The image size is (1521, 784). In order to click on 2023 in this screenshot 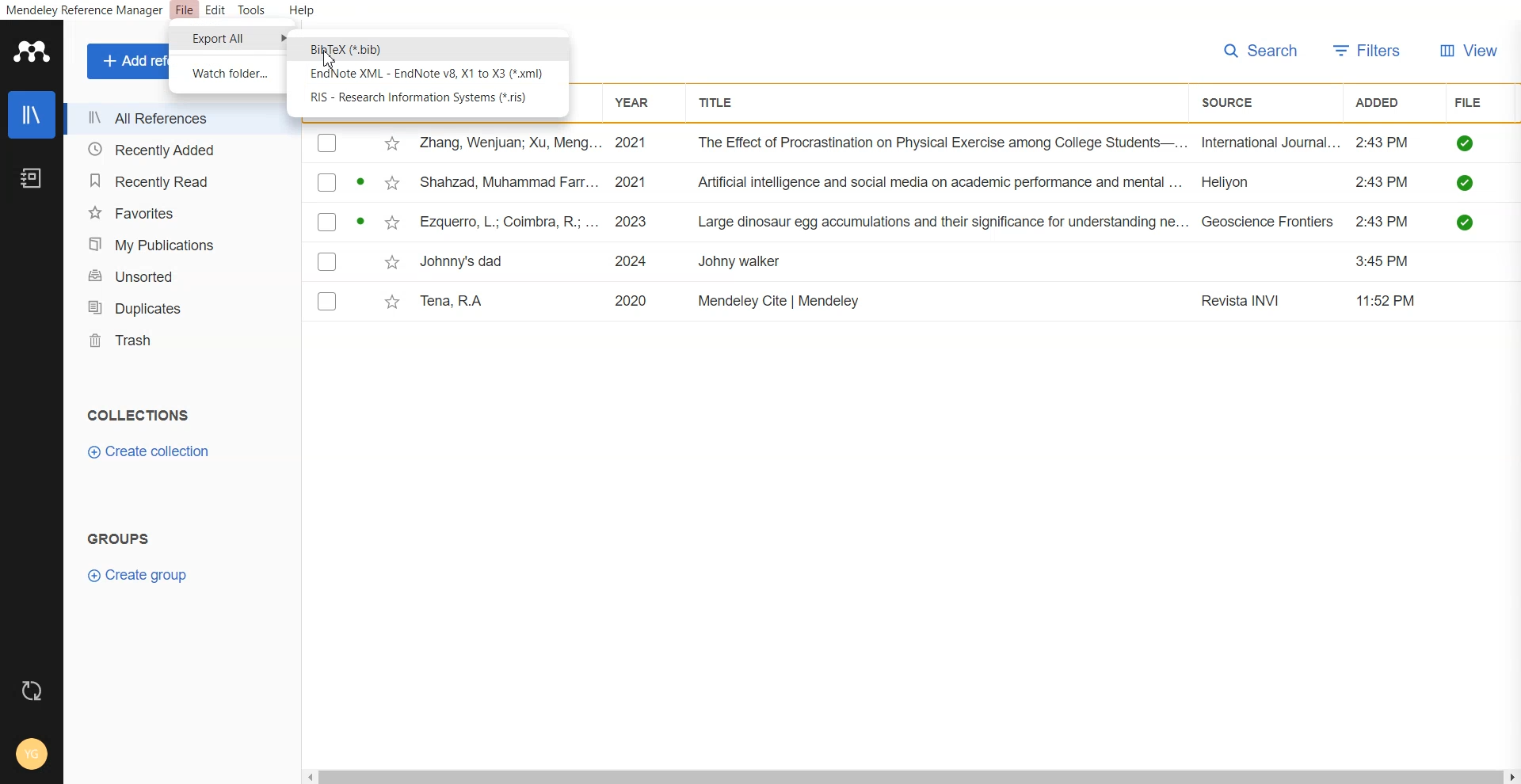, I will do `click(635, 221)`.